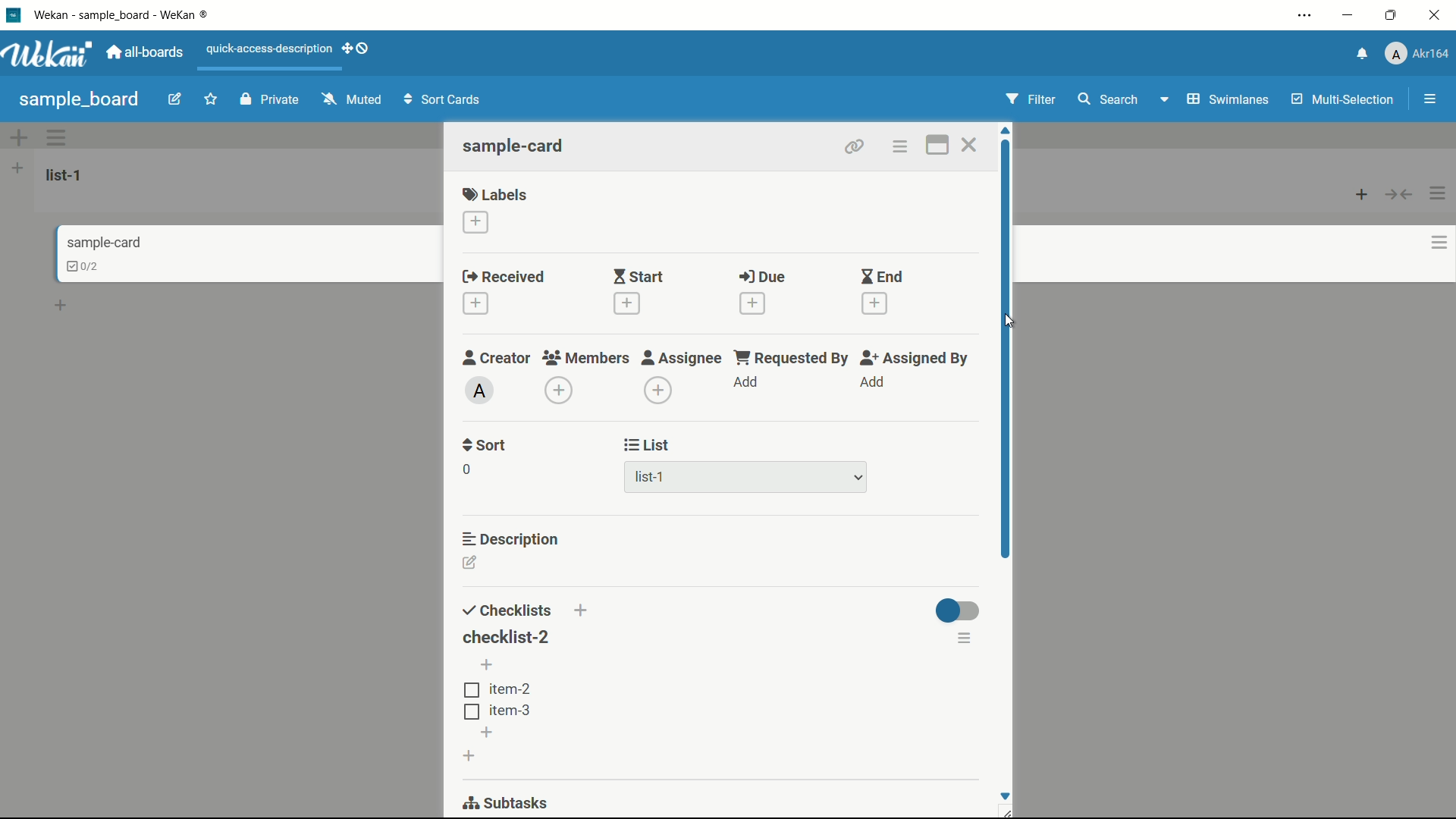 The height and width of the screenshot is (819, 1456). Describe the element at coordinates (581, 611) in the screenshot. I see `add checklist` at that location.